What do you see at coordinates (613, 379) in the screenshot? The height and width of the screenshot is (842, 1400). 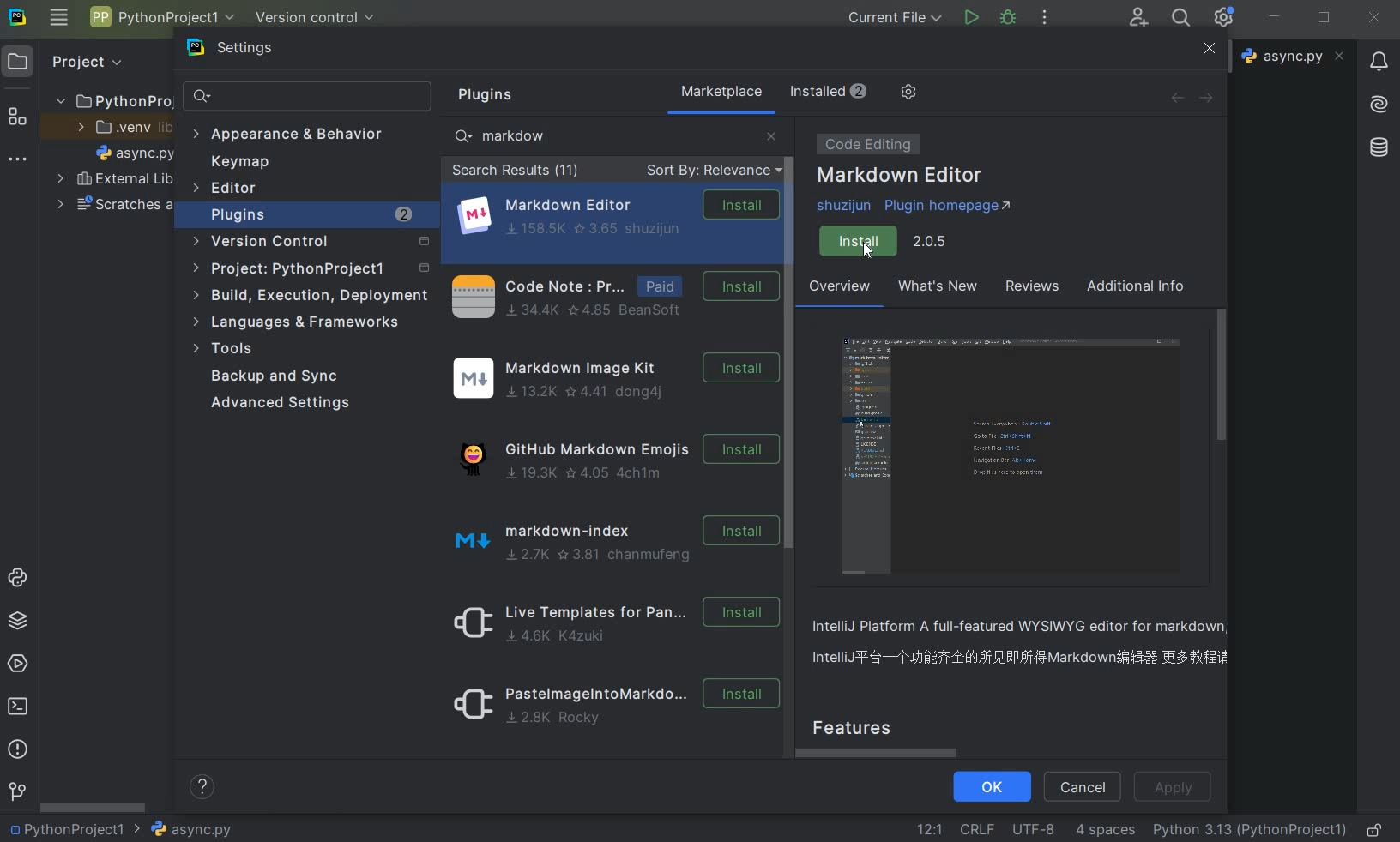 I see `markdown image kit` at bounding box center [613, 379].